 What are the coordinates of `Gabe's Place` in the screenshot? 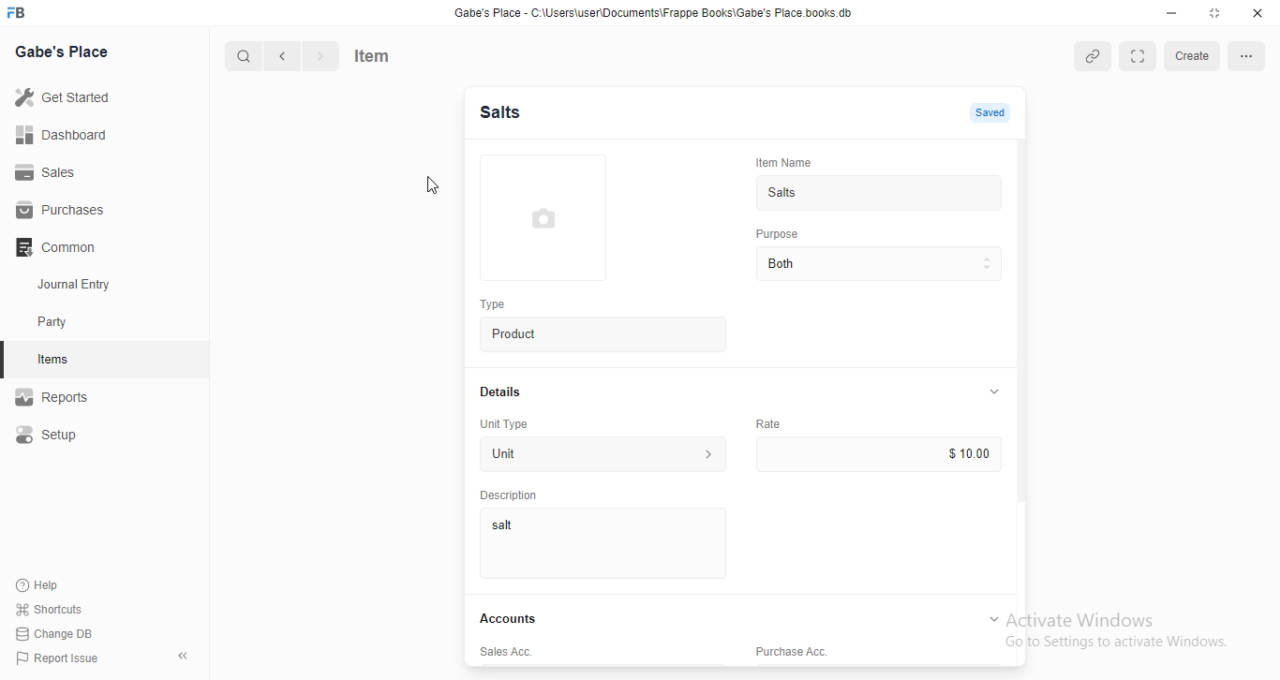 It's located at (66, 52).